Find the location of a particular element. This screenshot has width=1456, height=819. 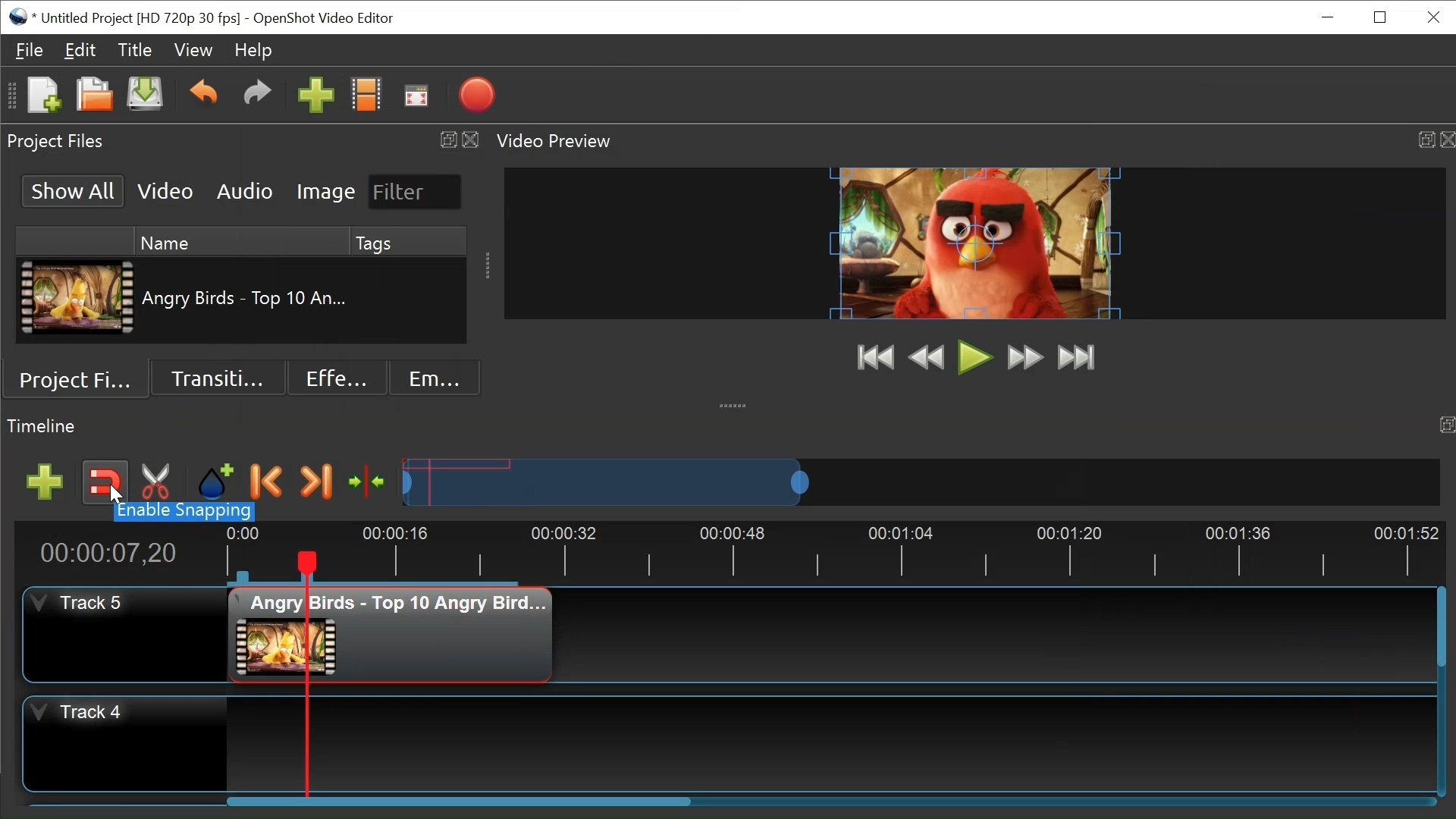

drag handle is located at coordinates (490, 268).